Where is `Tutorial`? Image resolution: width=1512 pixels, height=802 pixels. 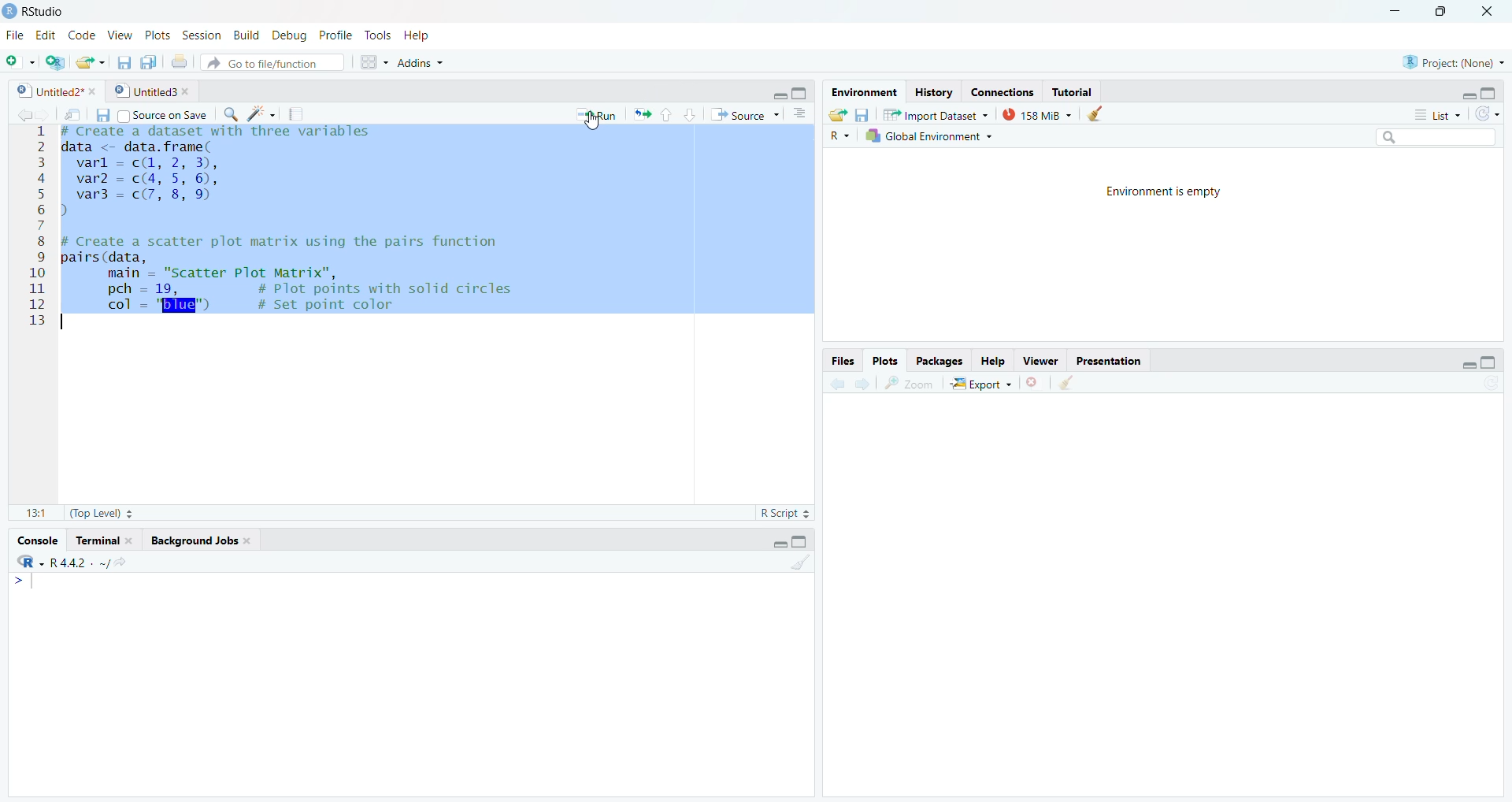
Tutorial is located at coordinates (1077, 90).